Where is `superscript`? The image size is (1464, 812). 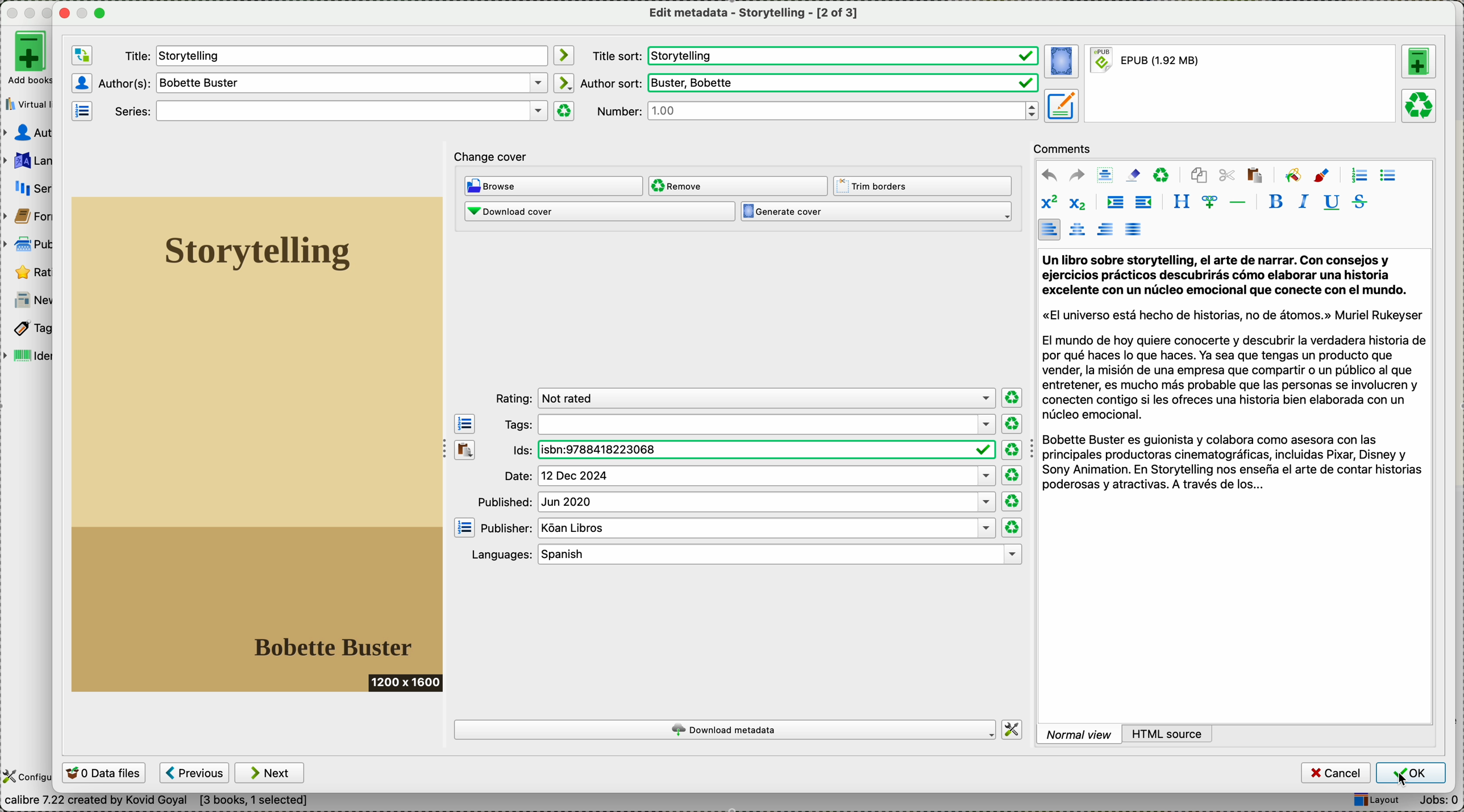 superscript is located at coordinates (1051, 202).